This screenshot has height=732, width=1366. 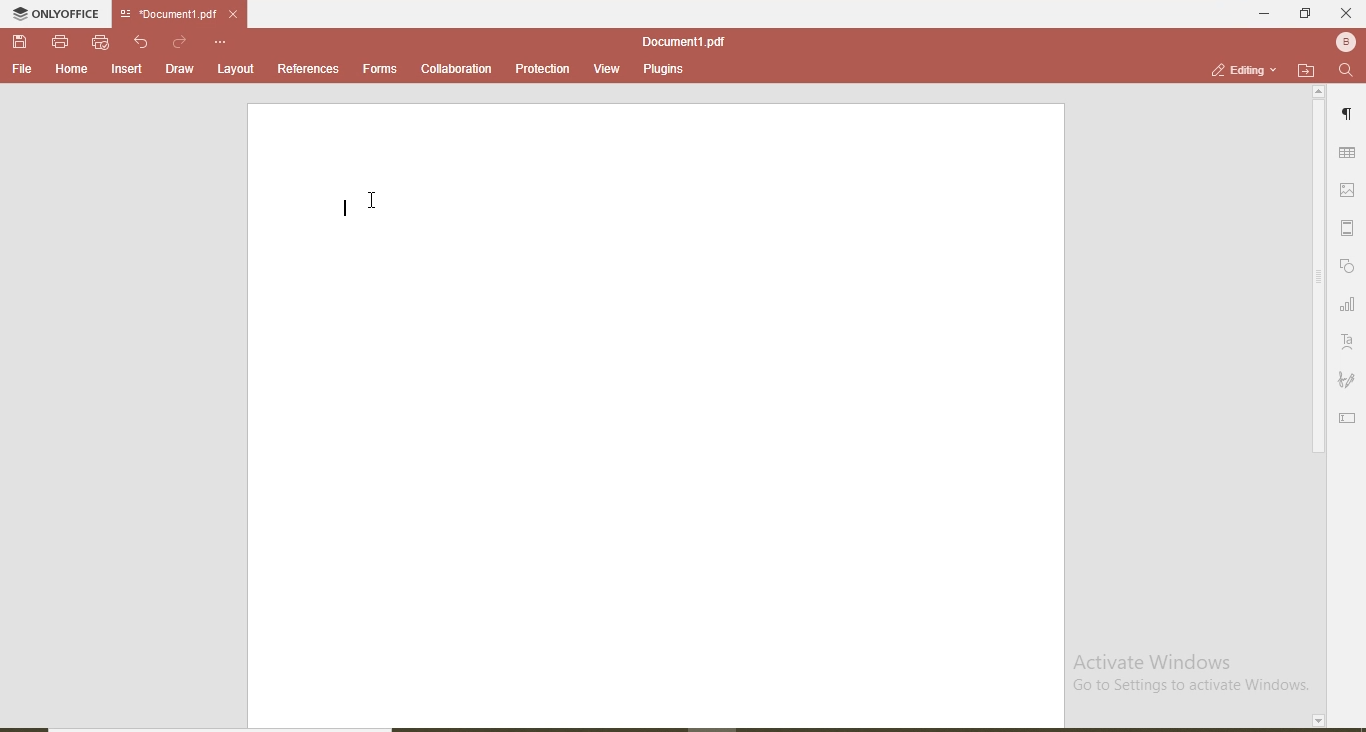 I want to click on text cursor, so click(x=341, y=203).